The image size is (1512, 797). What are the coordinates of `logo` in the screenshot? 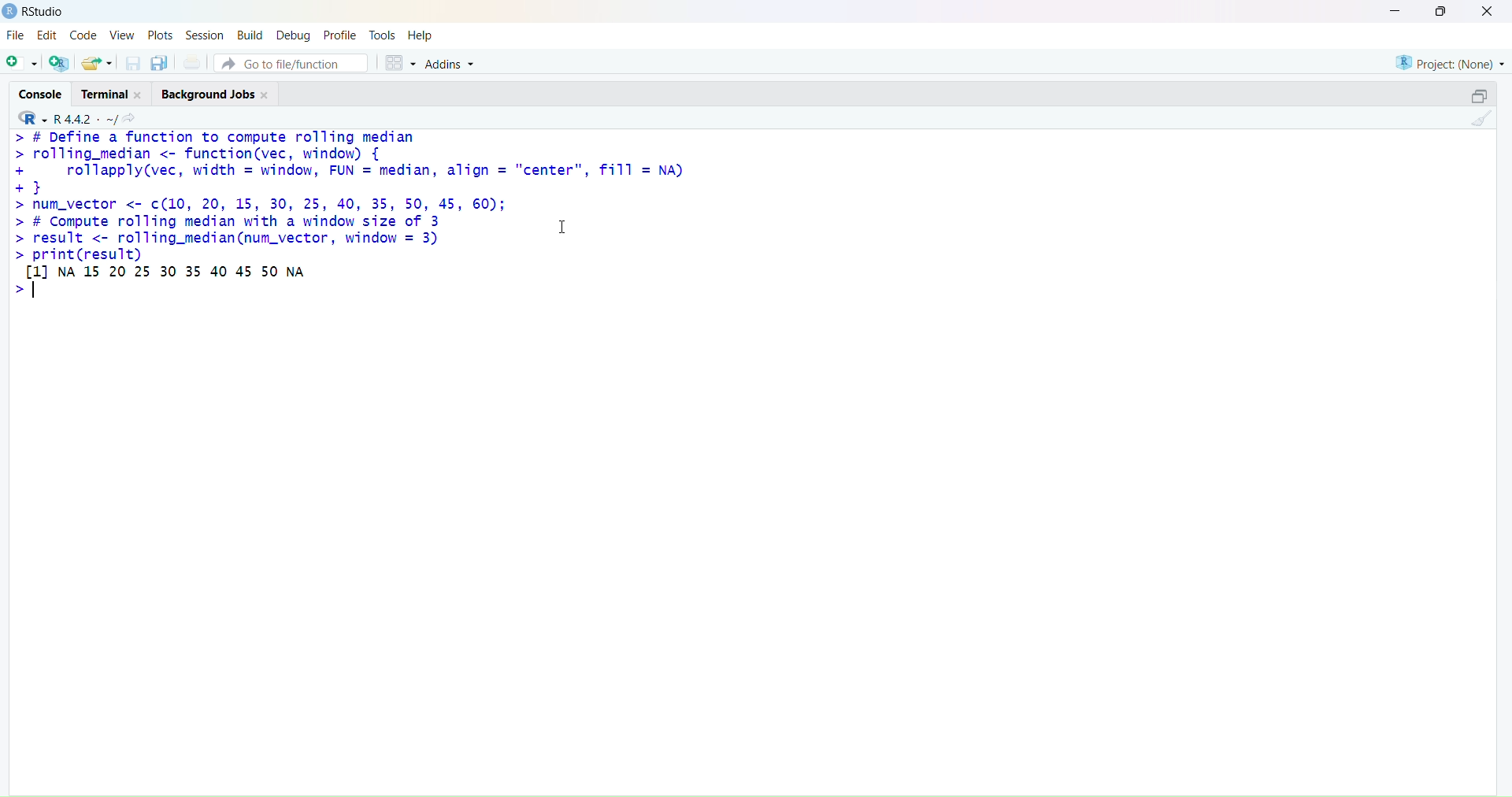 It's located at (11, 11).